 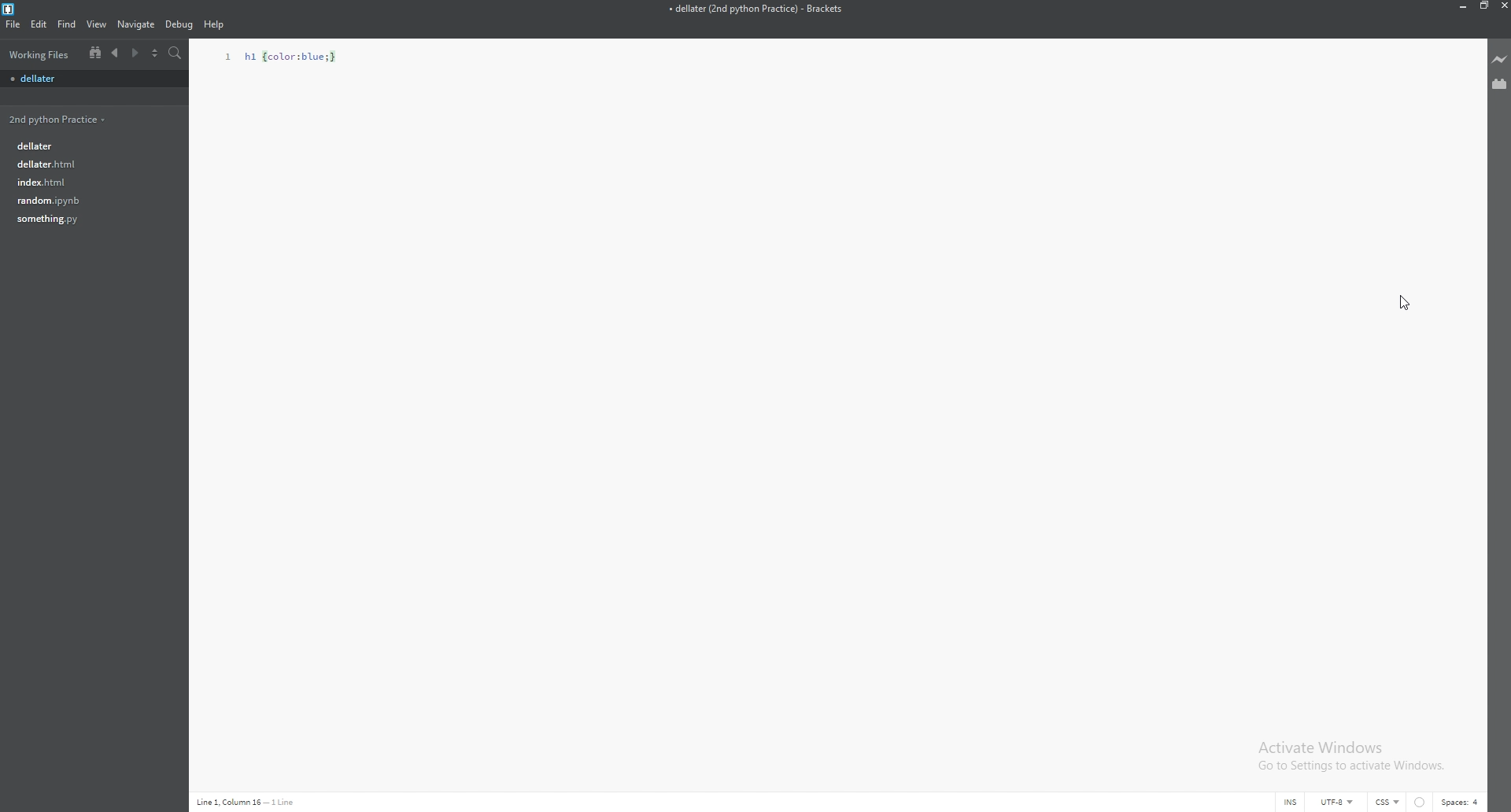 What do you see at coordinates (1421, 803) in the screenshot?
I see `linter` at bounding box center [1421, 803].